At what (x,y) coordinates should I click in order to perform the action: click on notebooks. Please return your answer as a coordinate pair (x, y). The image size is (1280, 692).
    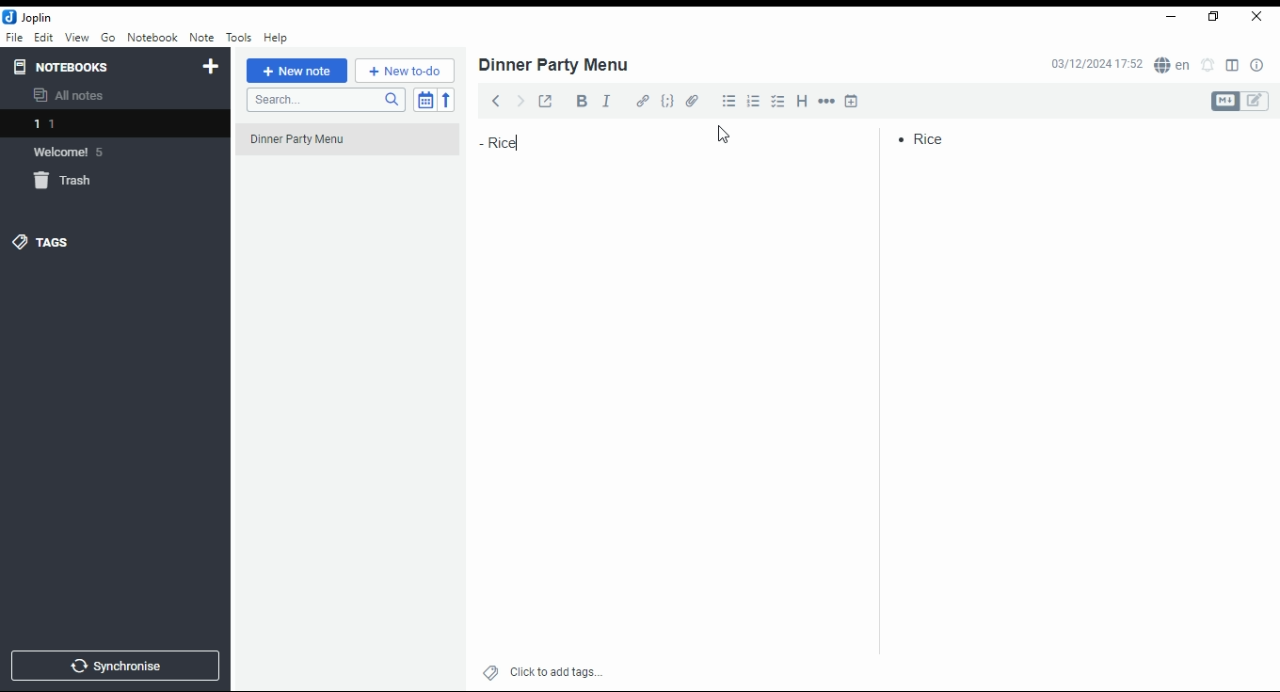
    Looking at the image, I should click on (66, 66).